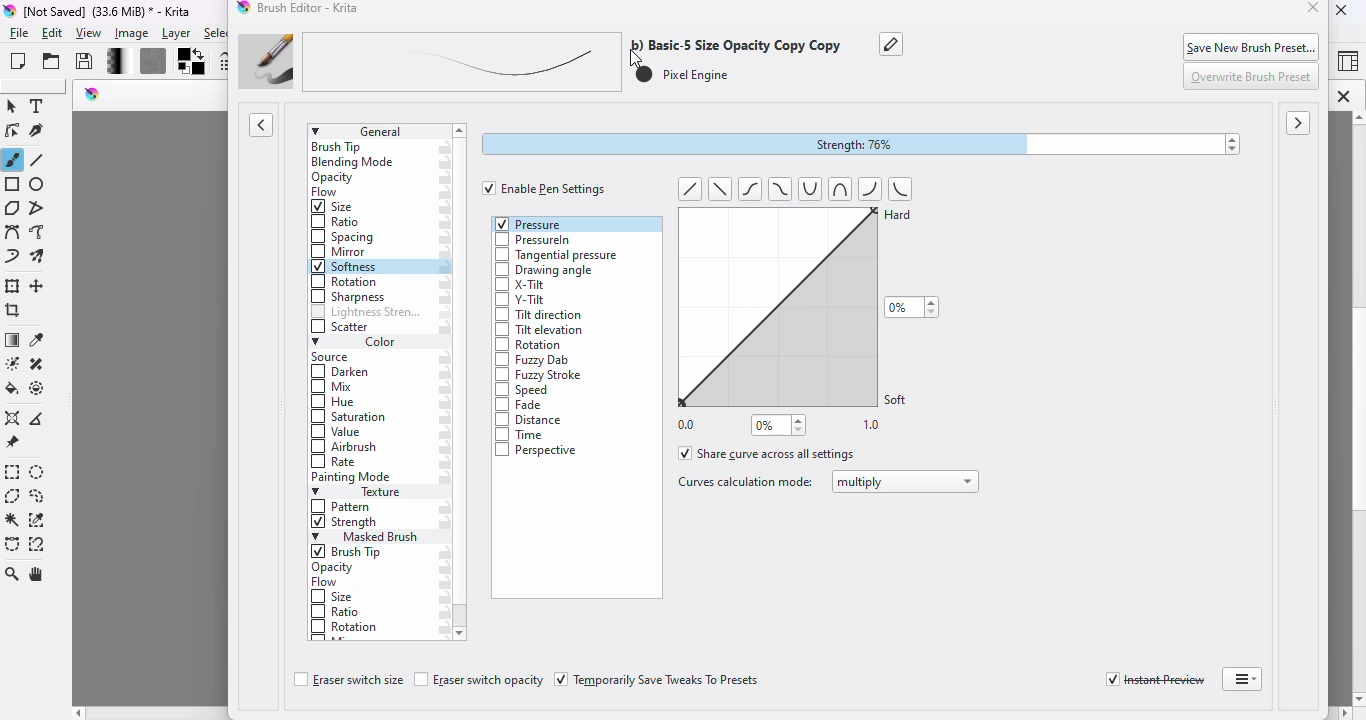 This screenshot has height=720, width=1366. What do you see at coordinates (37, 544) in the screenshot?
I see `magnetic curve selection tool` at bounding box center [37, 544].